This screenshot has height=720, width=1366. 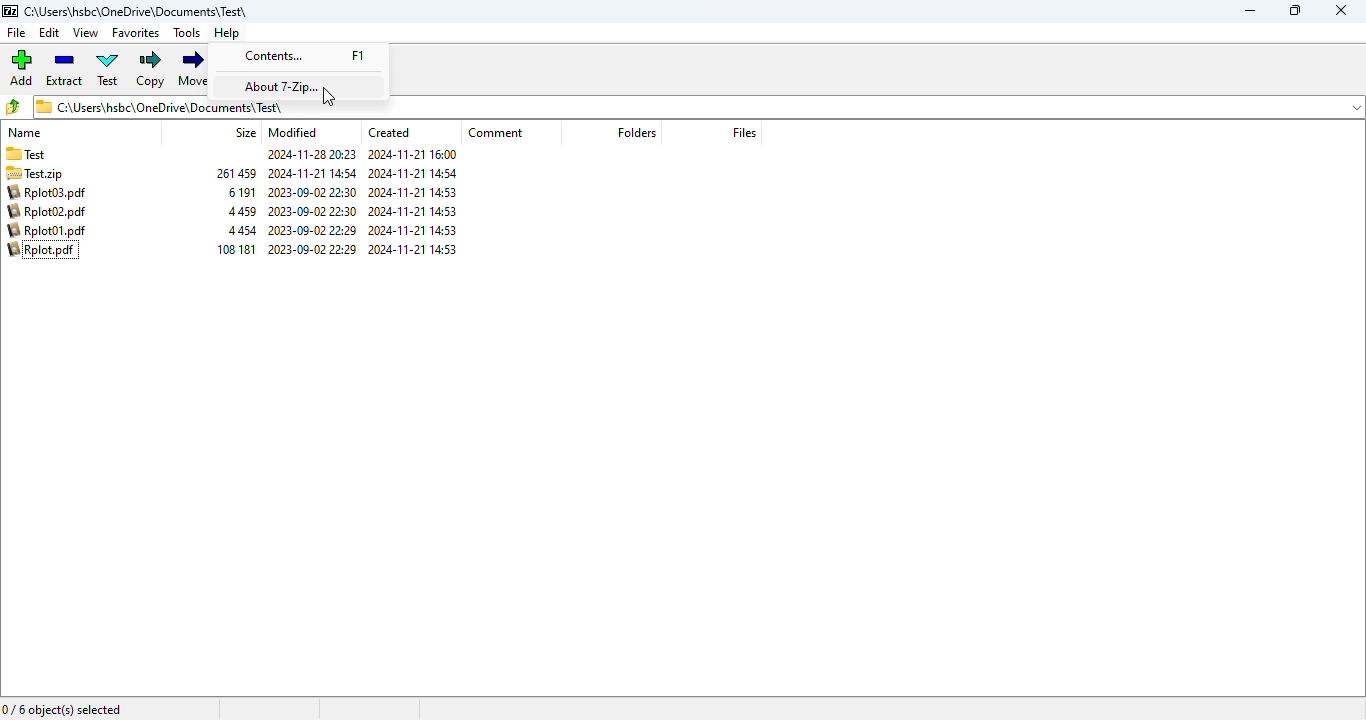 I want to click on 2024-11-21 14:54, so click(x=312, y=173).